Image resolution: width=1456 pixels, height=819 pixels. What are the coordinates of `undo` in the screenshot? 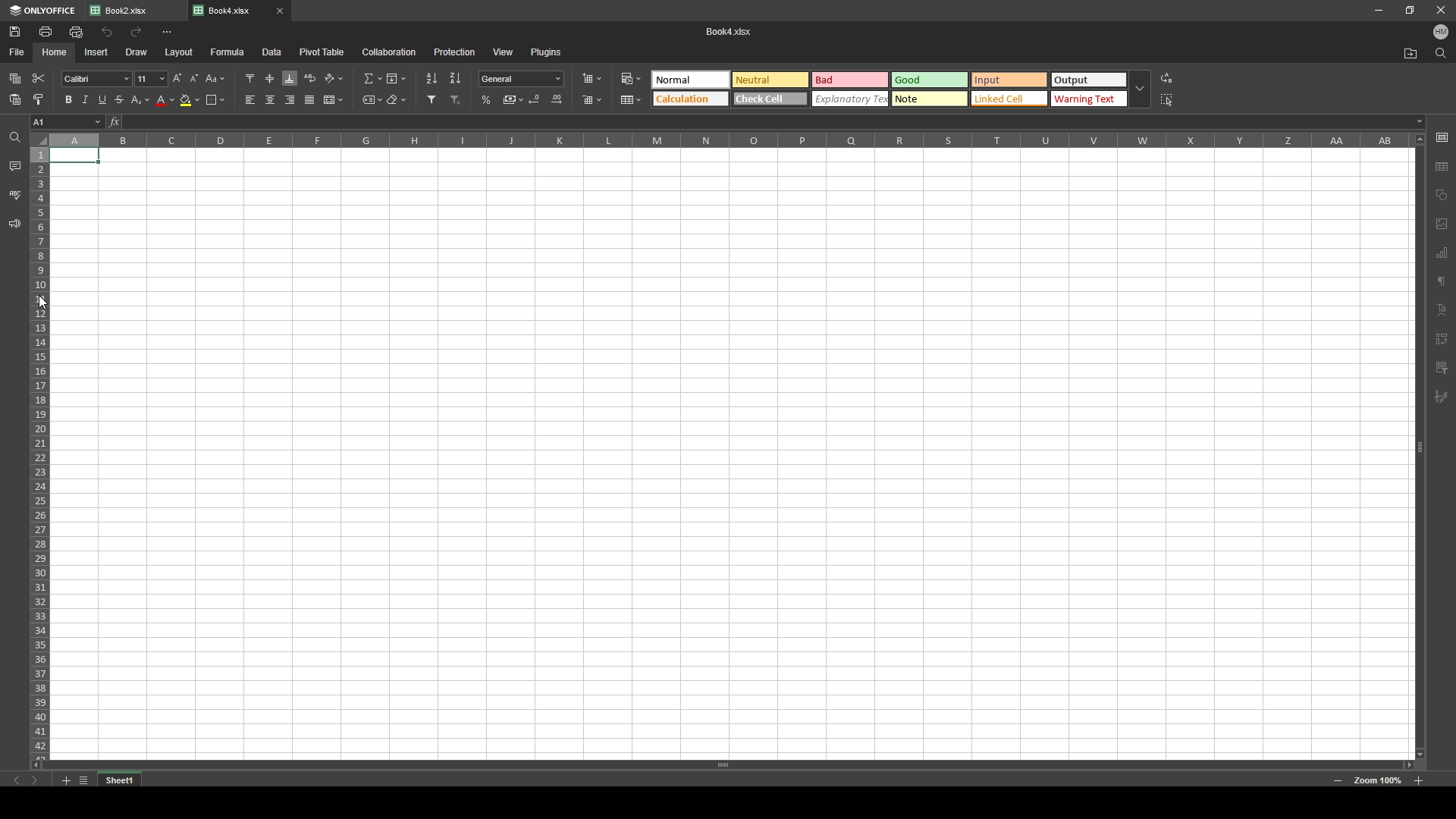 It's located at (106, 32).